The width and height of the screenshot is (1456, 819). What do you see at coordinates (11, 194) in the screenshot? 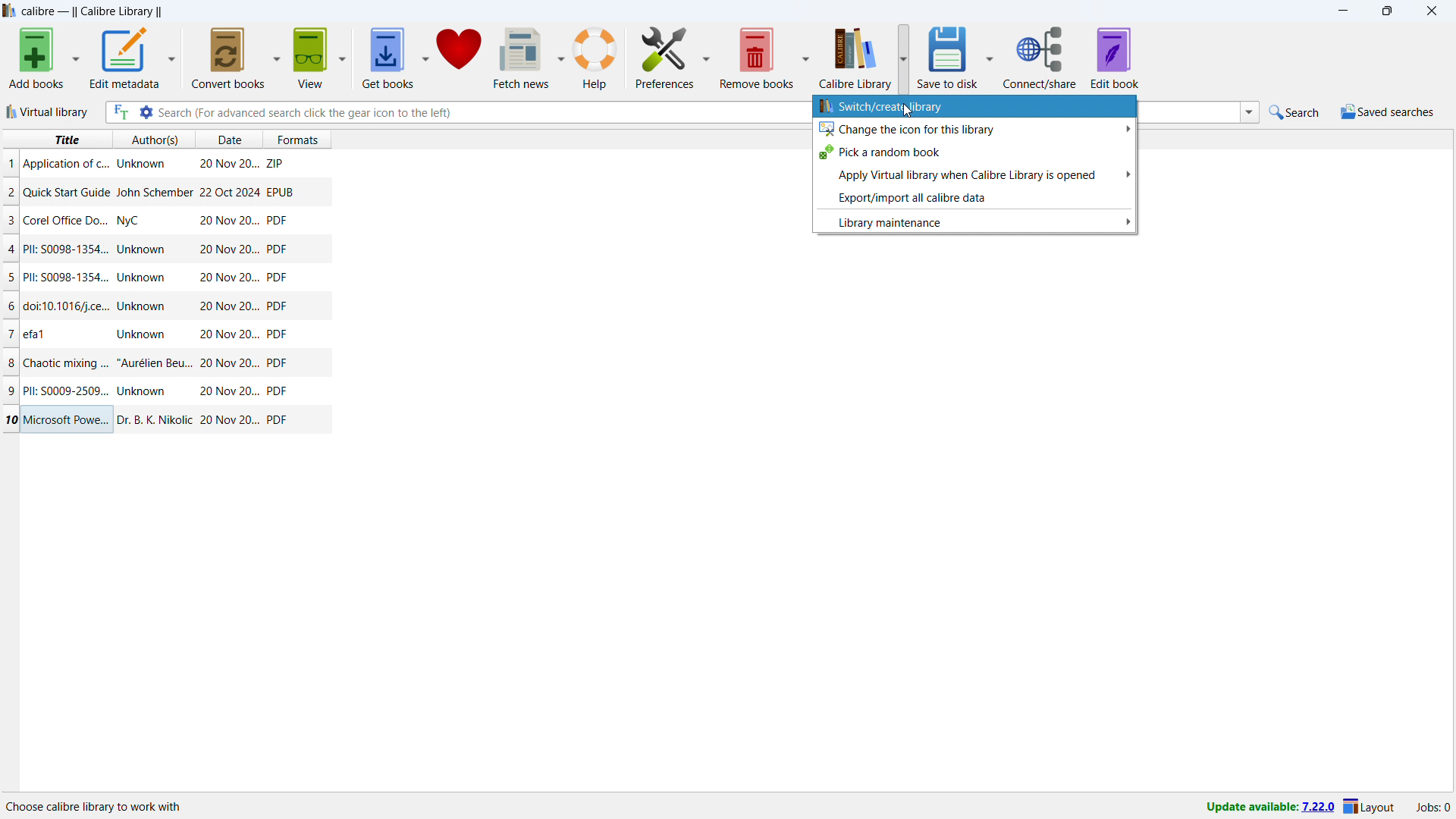
I see `2` at bounding box center [11, 194].